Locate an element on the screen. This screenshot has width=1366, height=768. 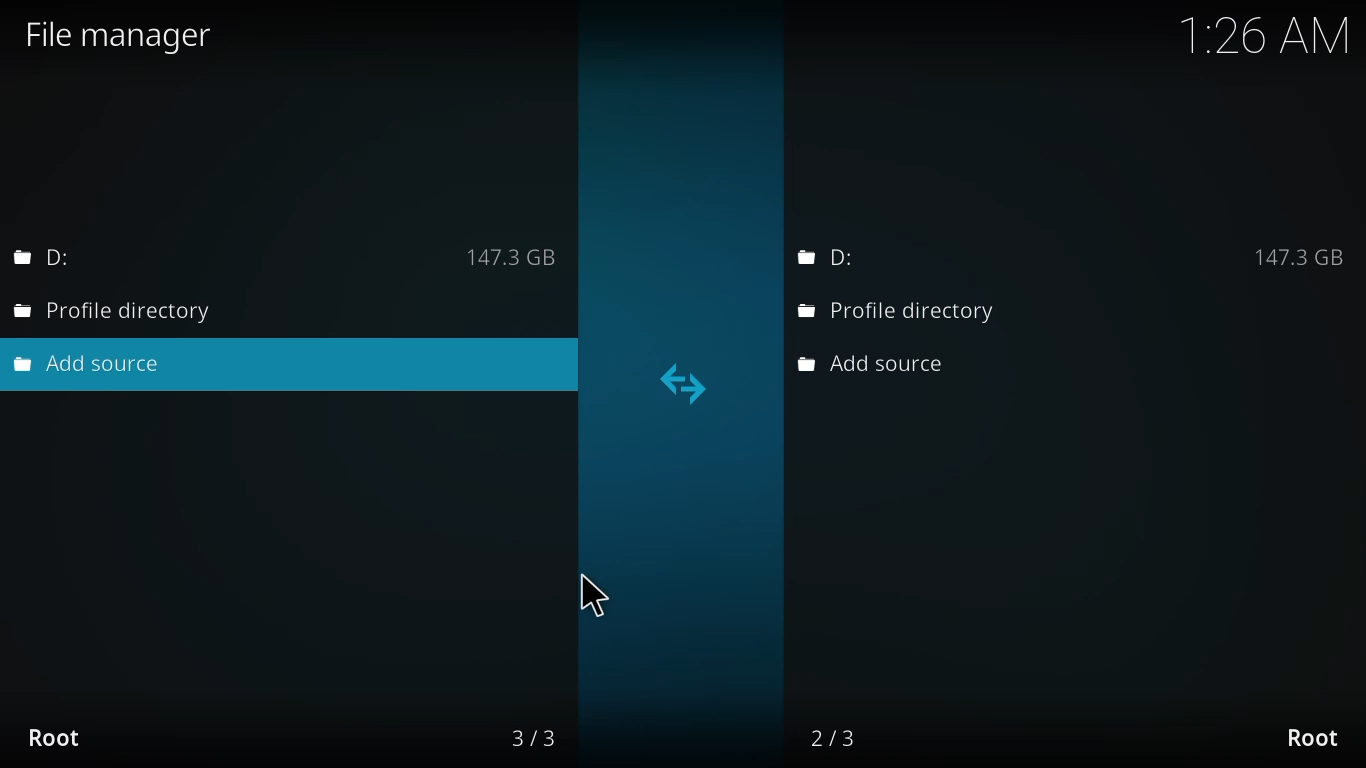
space is located at coordinates (1295, 256).